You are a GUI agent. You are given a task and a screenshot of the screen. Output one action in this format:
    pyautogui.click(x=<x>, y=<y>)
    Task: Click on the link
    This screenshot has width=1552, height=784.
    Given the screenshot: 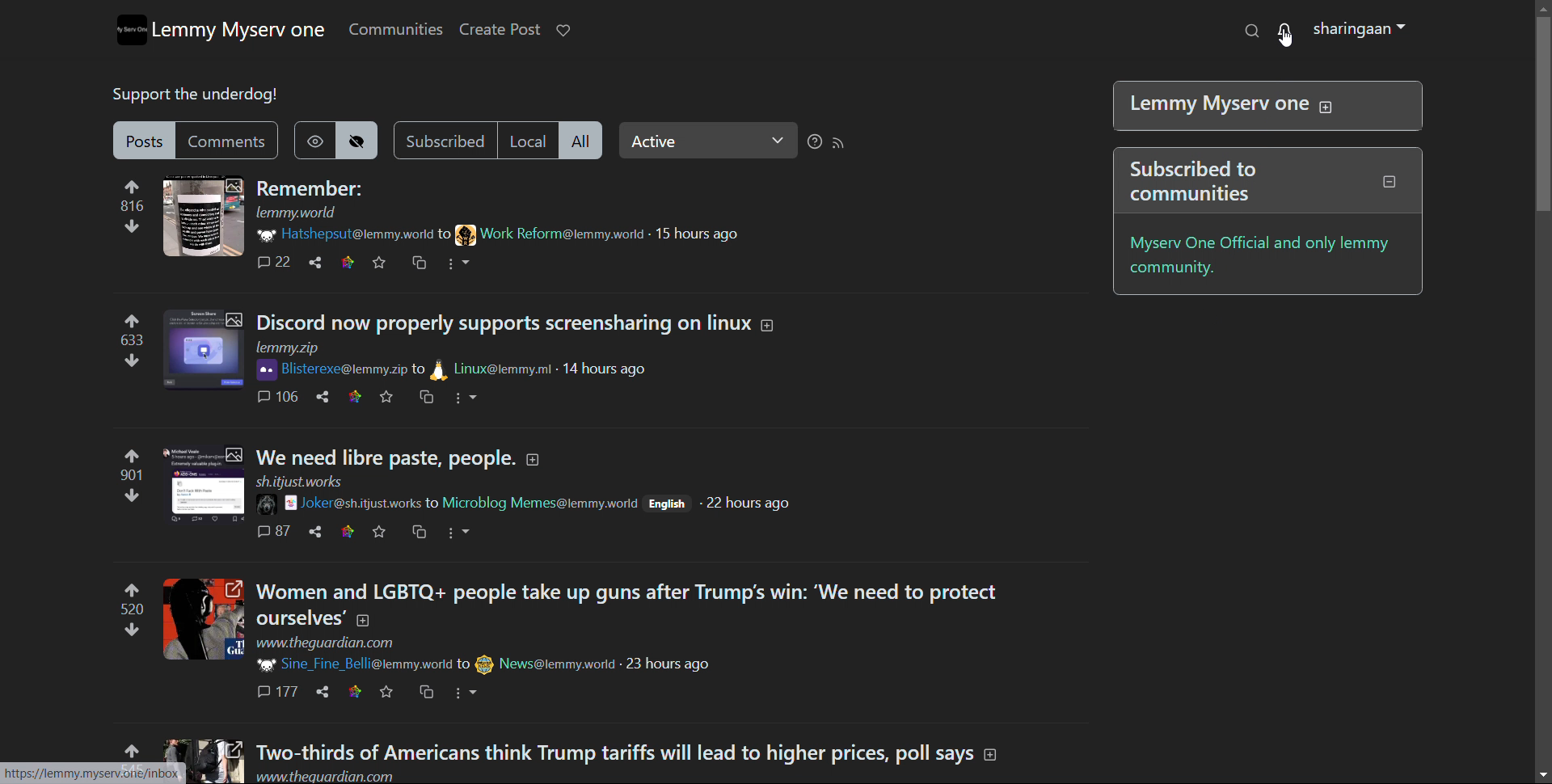 What is the action you would take?
    pyautogui.click(x=95, y=773)
    